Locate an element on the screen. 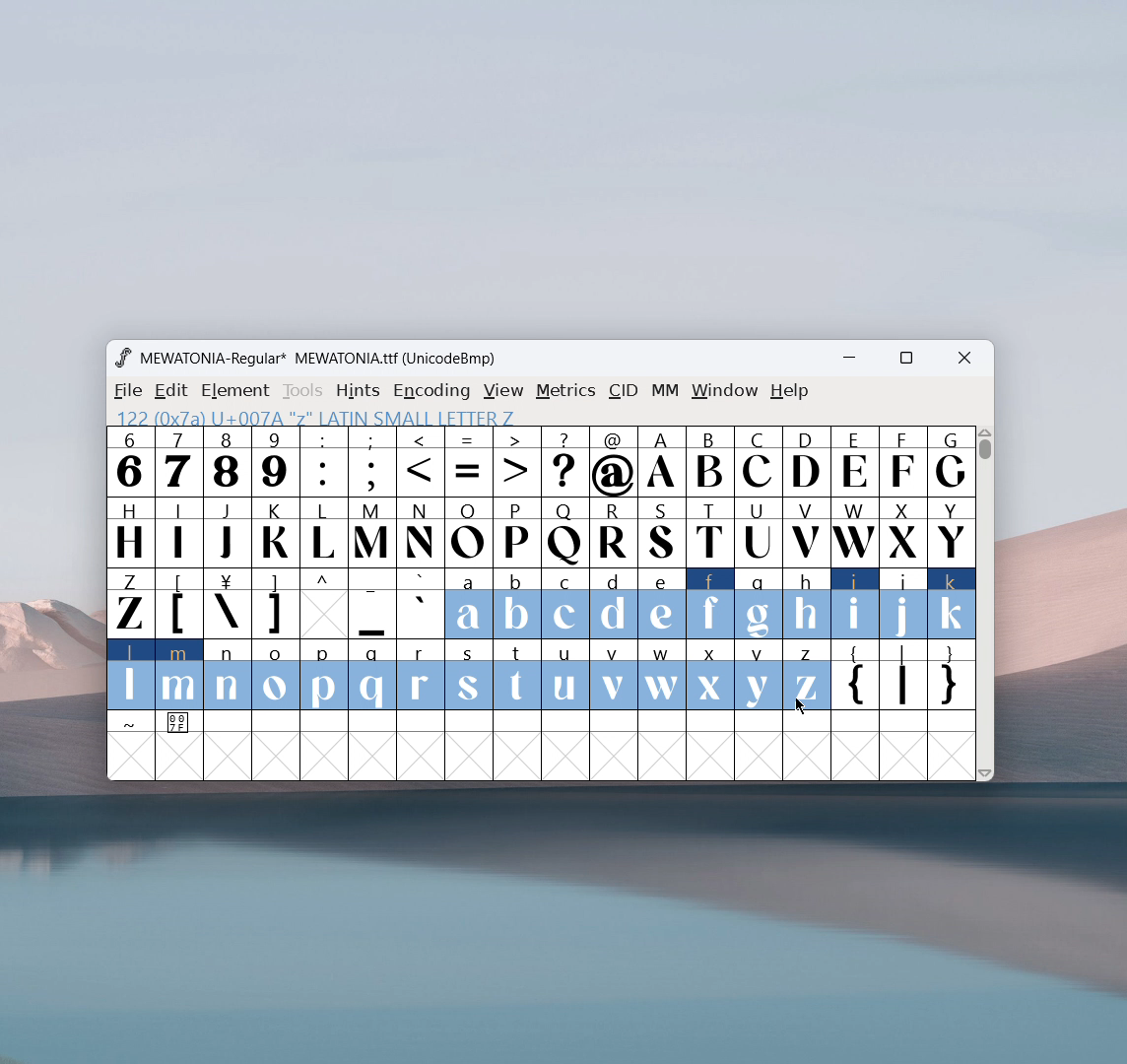 The image size is (1127, 1064). { is located at coordinates (854, 677).